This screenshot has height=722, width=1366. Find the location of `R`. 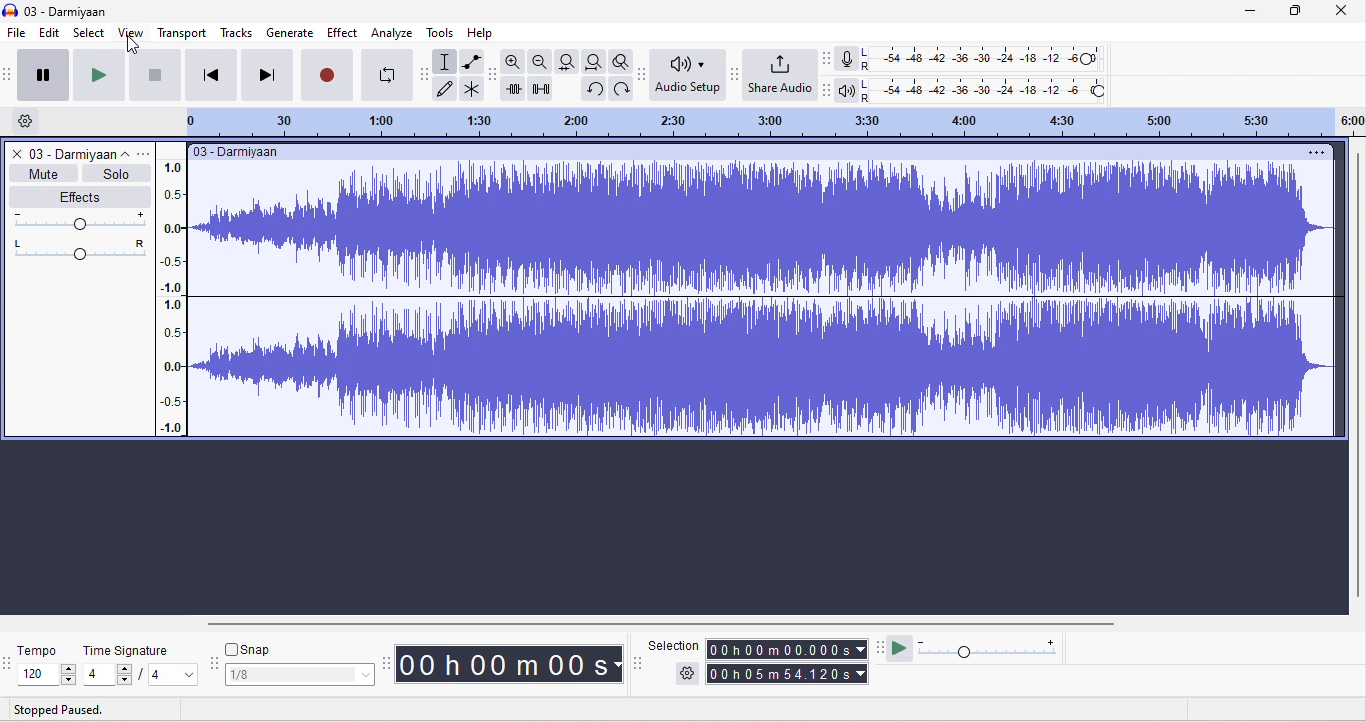

R is located at coordinates (866, 67).